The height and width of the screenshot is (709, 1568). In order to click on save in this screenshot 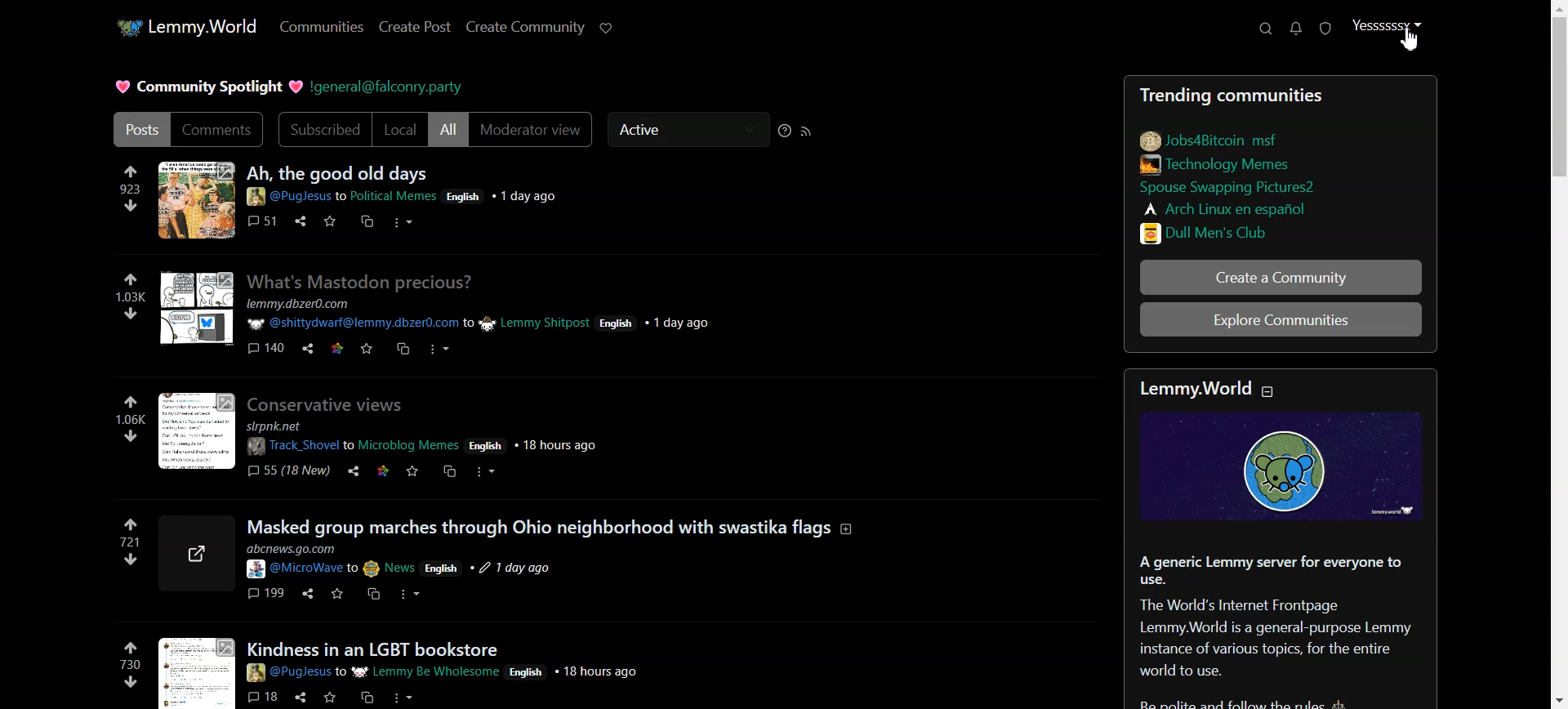, I will do `click(337, 594)`.